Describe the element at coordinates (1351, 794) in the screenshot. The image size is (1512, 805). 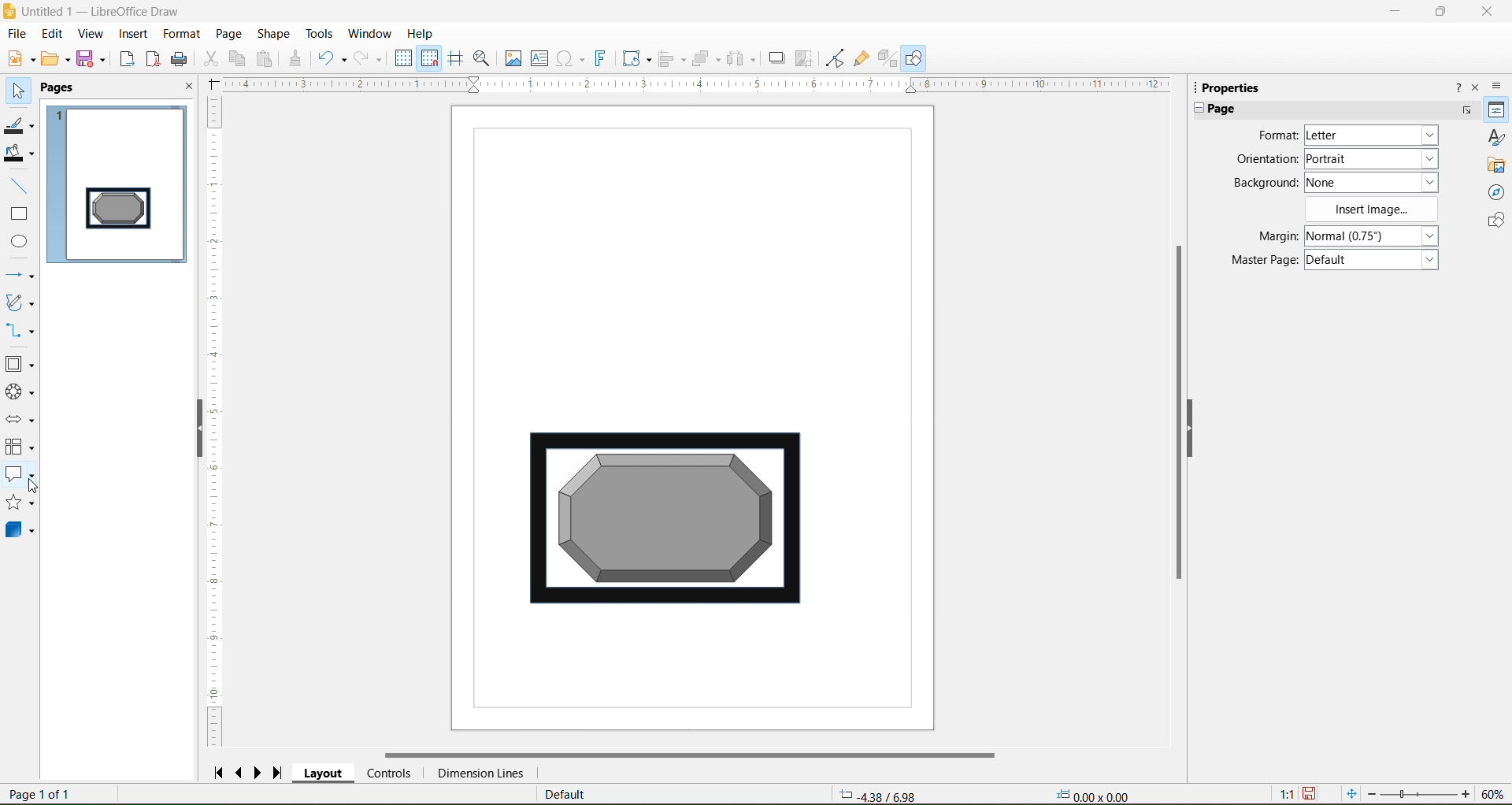
I see `Fit page to current window` at that location.